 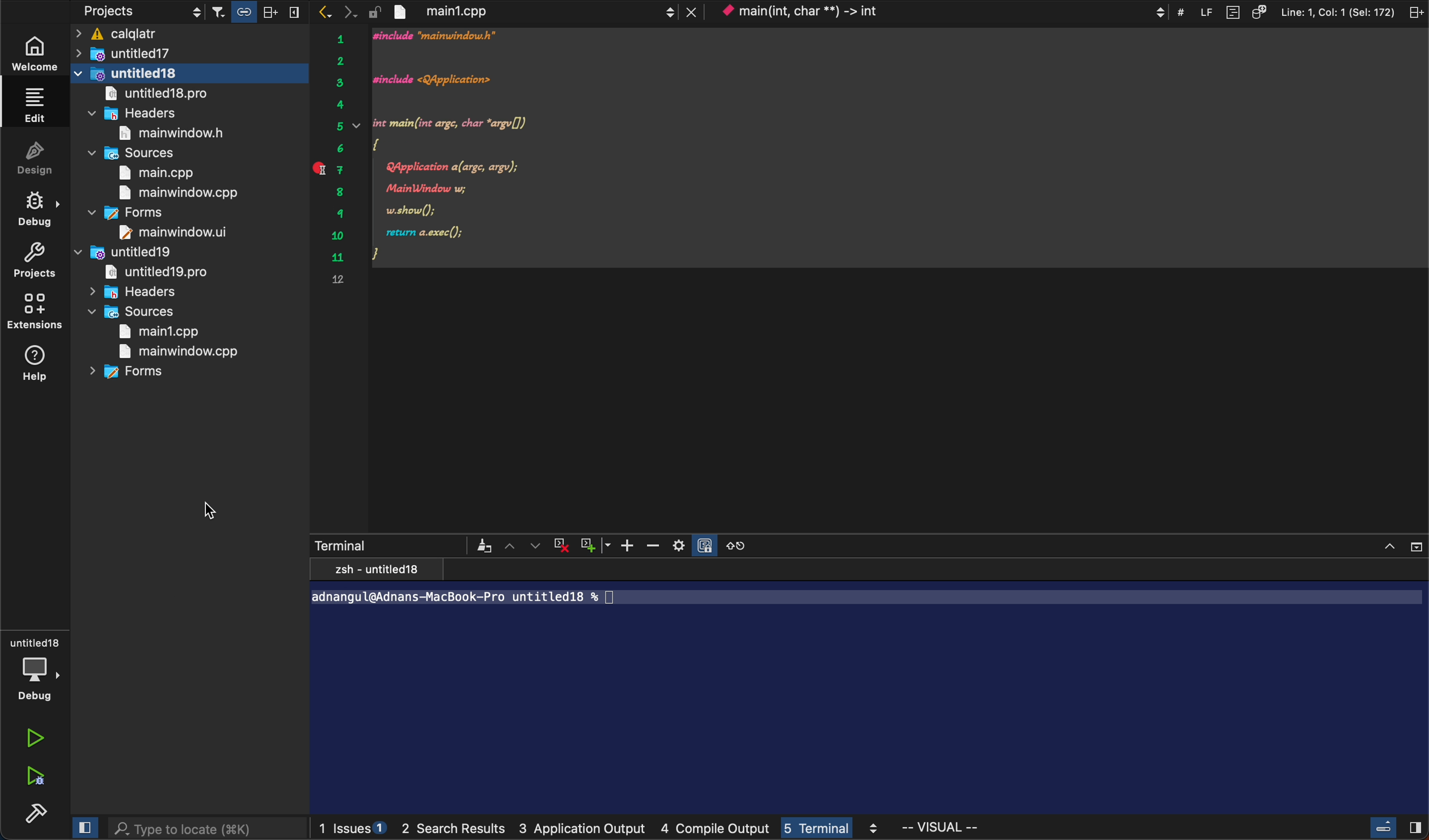 What do you see at coordinates (1338, 11) in the screenshot?
I see `Line: 1, Col: 1 (Sel: 172)` at bounding box center [1338, 11].